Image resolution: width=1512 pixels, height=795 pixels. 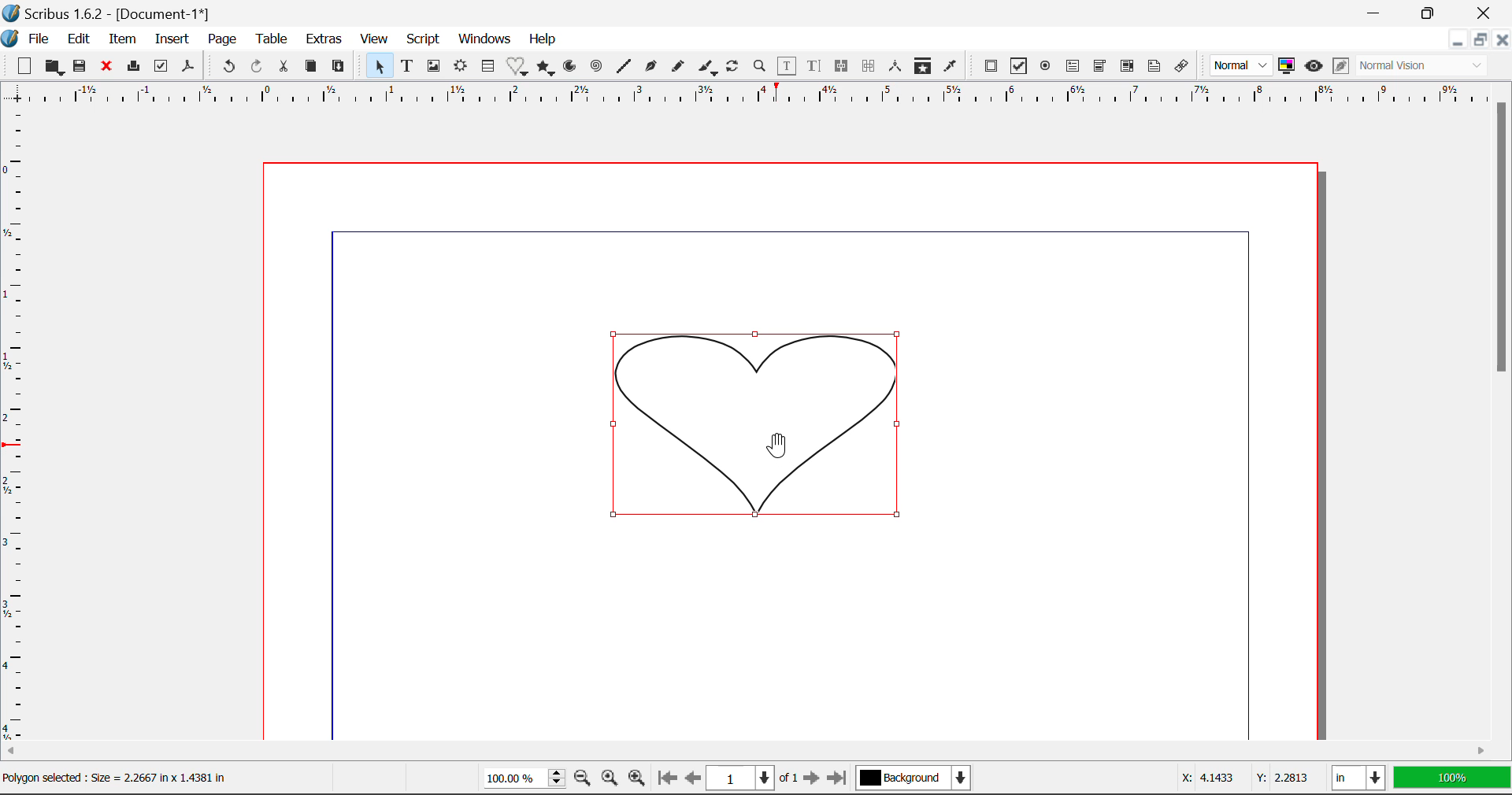 I want to click on Previous, so click(x=694, y=779).